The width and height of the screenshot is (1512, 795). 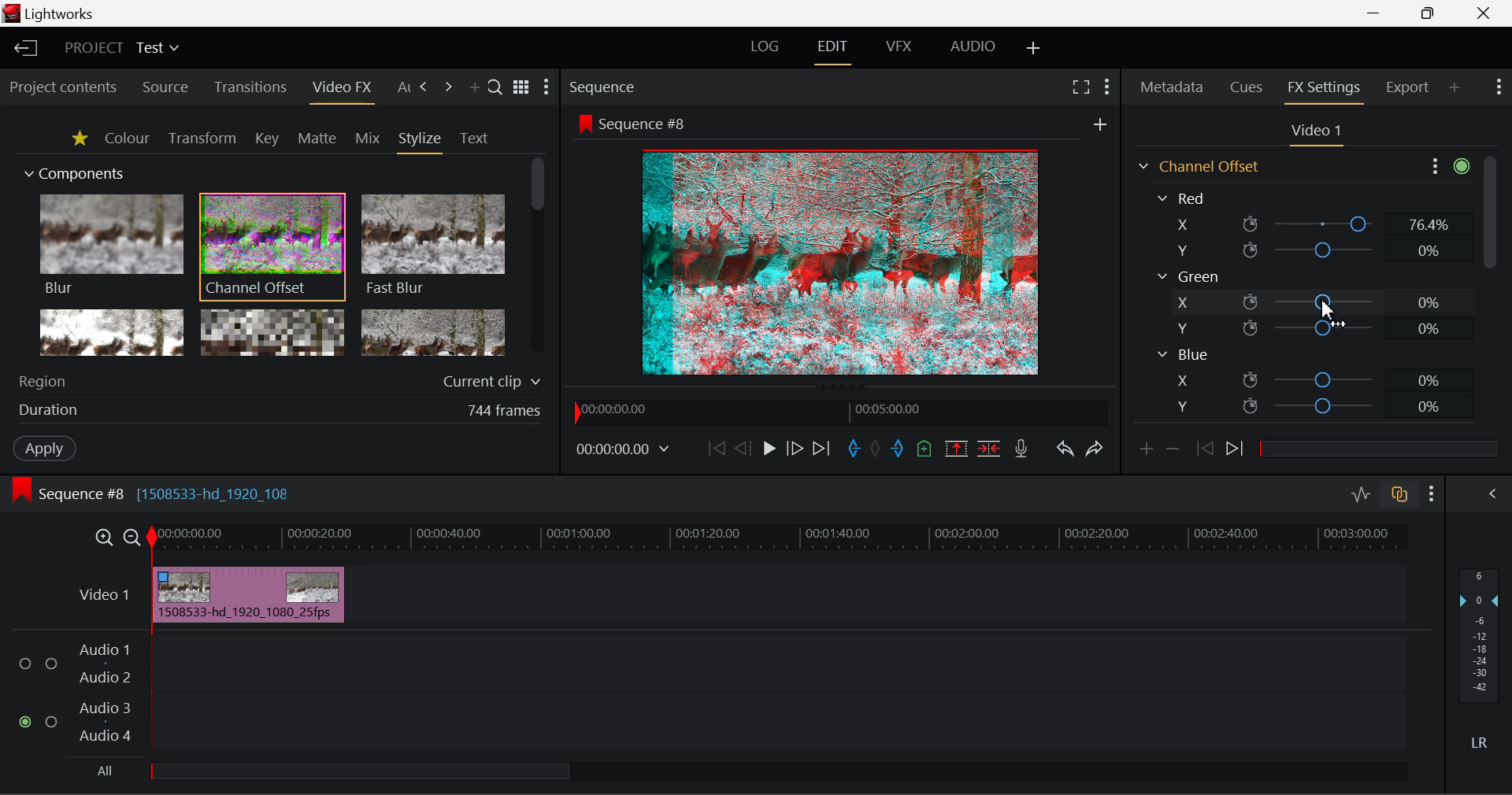 I want to click on Undo, so click(x=1067, y=451).